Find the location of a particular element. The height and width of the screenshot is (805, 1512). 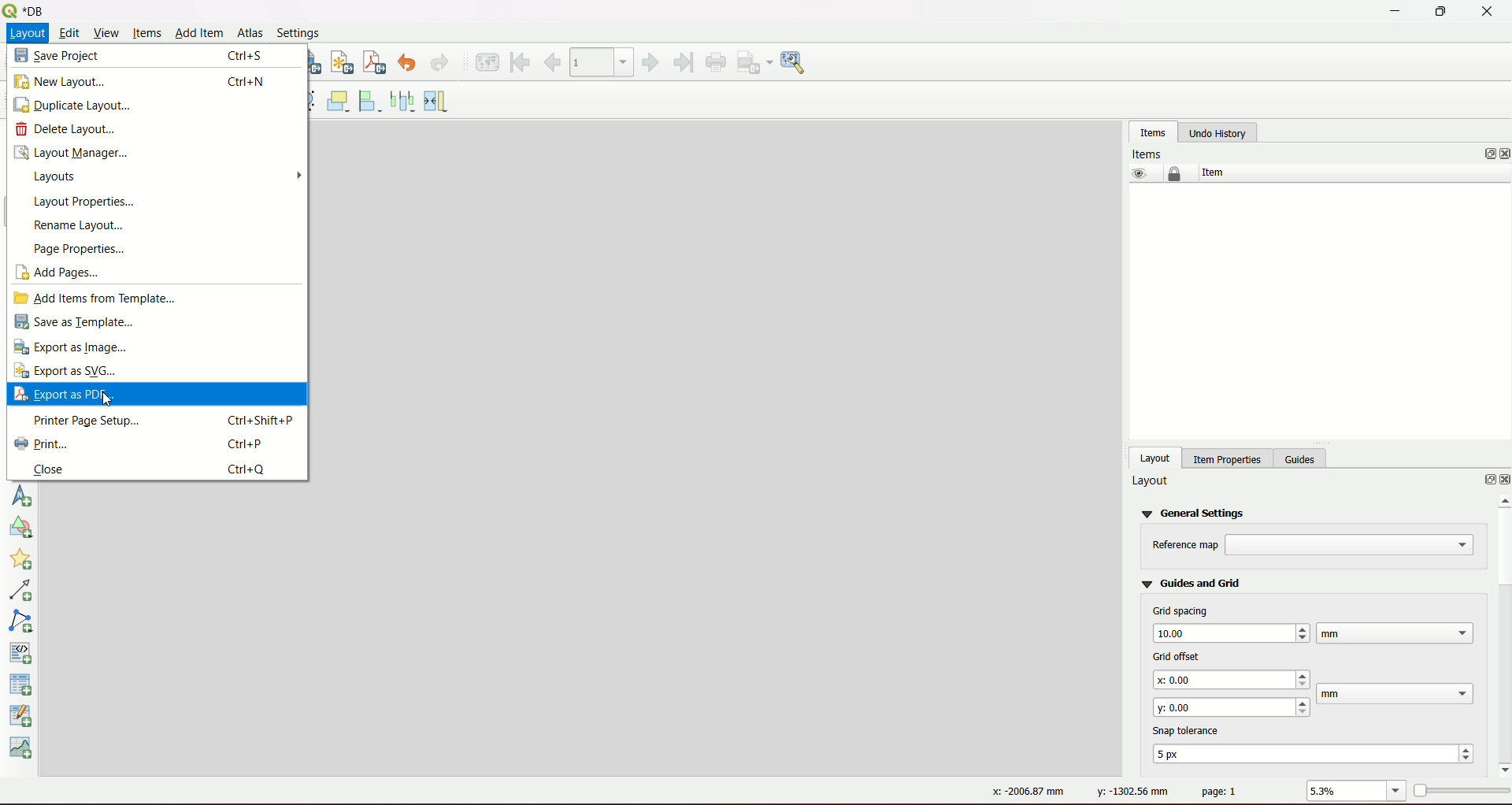

export as image is located at coordinates (755, 62).